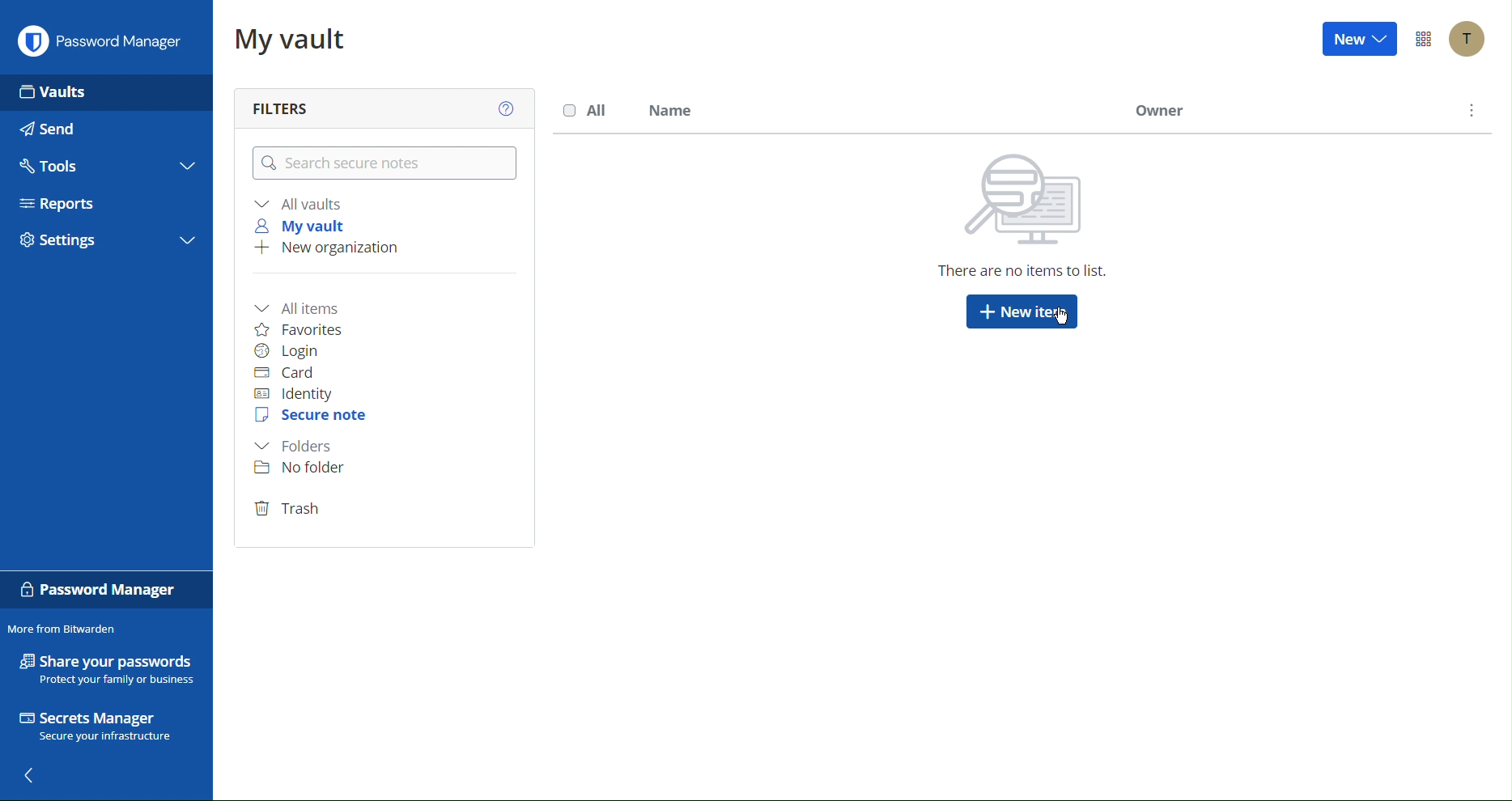 This screenshot has width=1512, height=801. What do you see at coordinates (300, 447) in the screenshot?
I see `Folder` at bounding box center [300, 447].